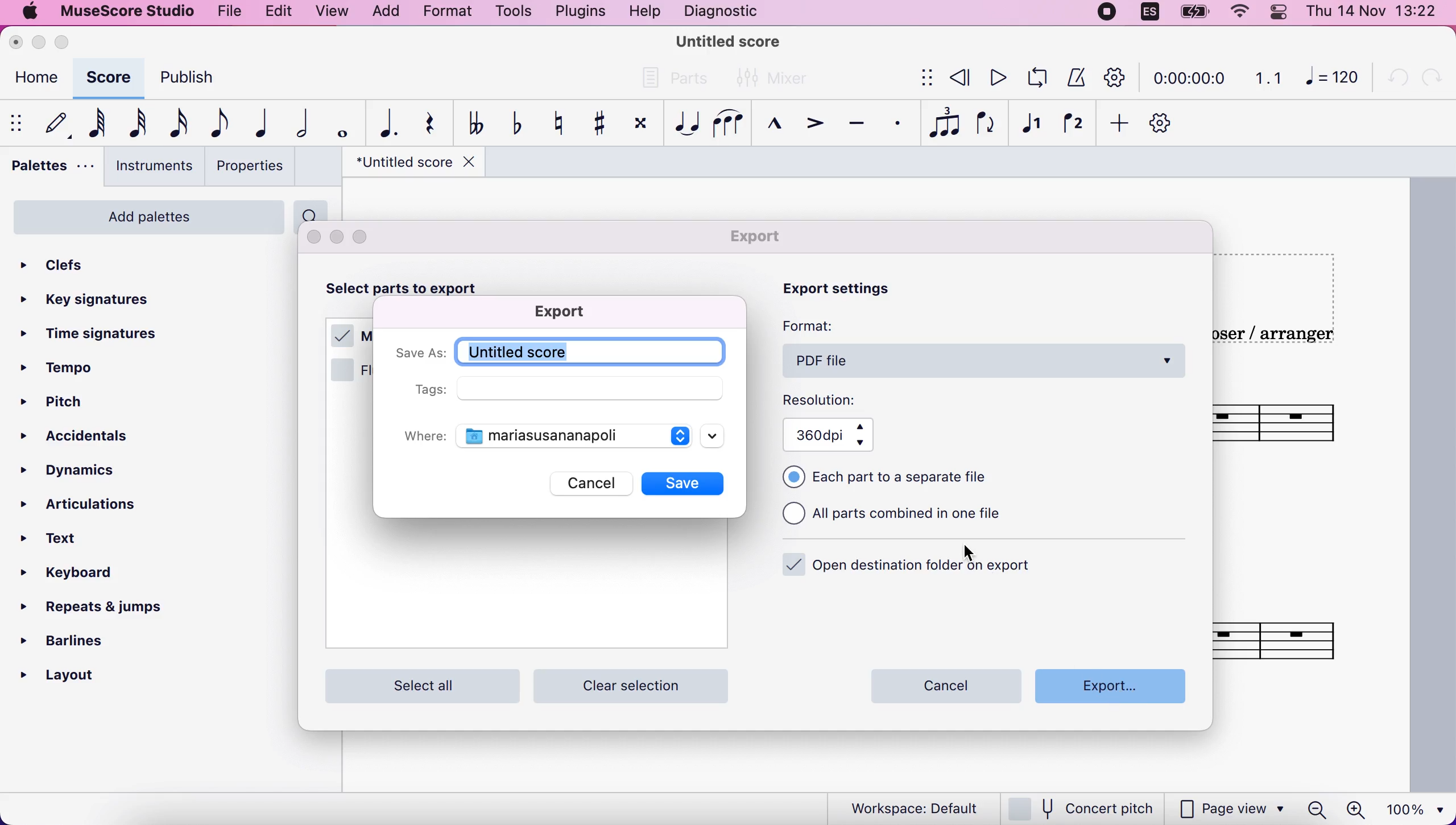 This screenshot has width=1456, height=825. What do you see at coordinates (40, 43) in the screenshot?
I see `minimize` at bounding box center [40, 43].